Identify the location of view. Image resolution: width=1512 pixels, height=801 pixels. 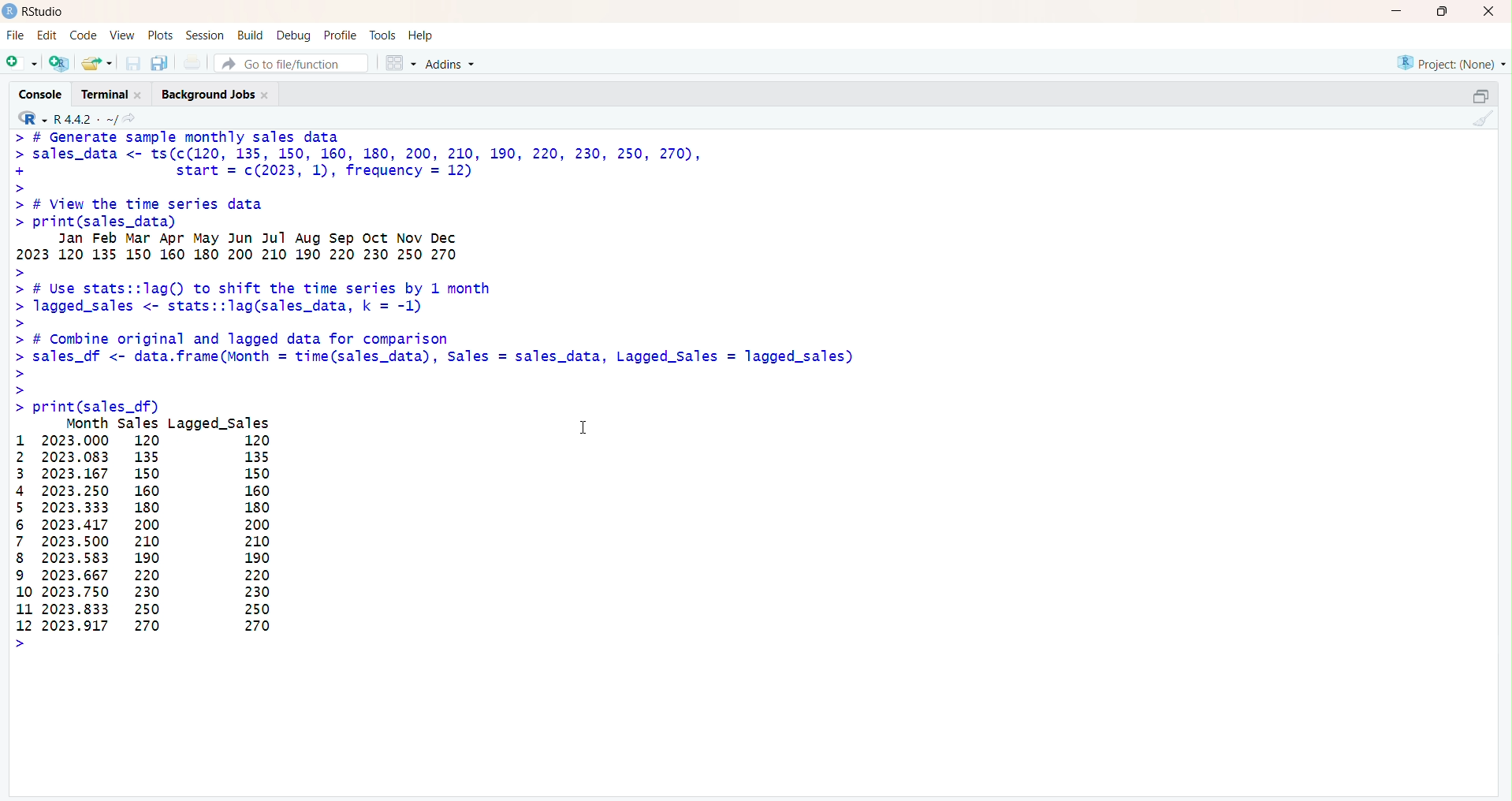
(121, 35).